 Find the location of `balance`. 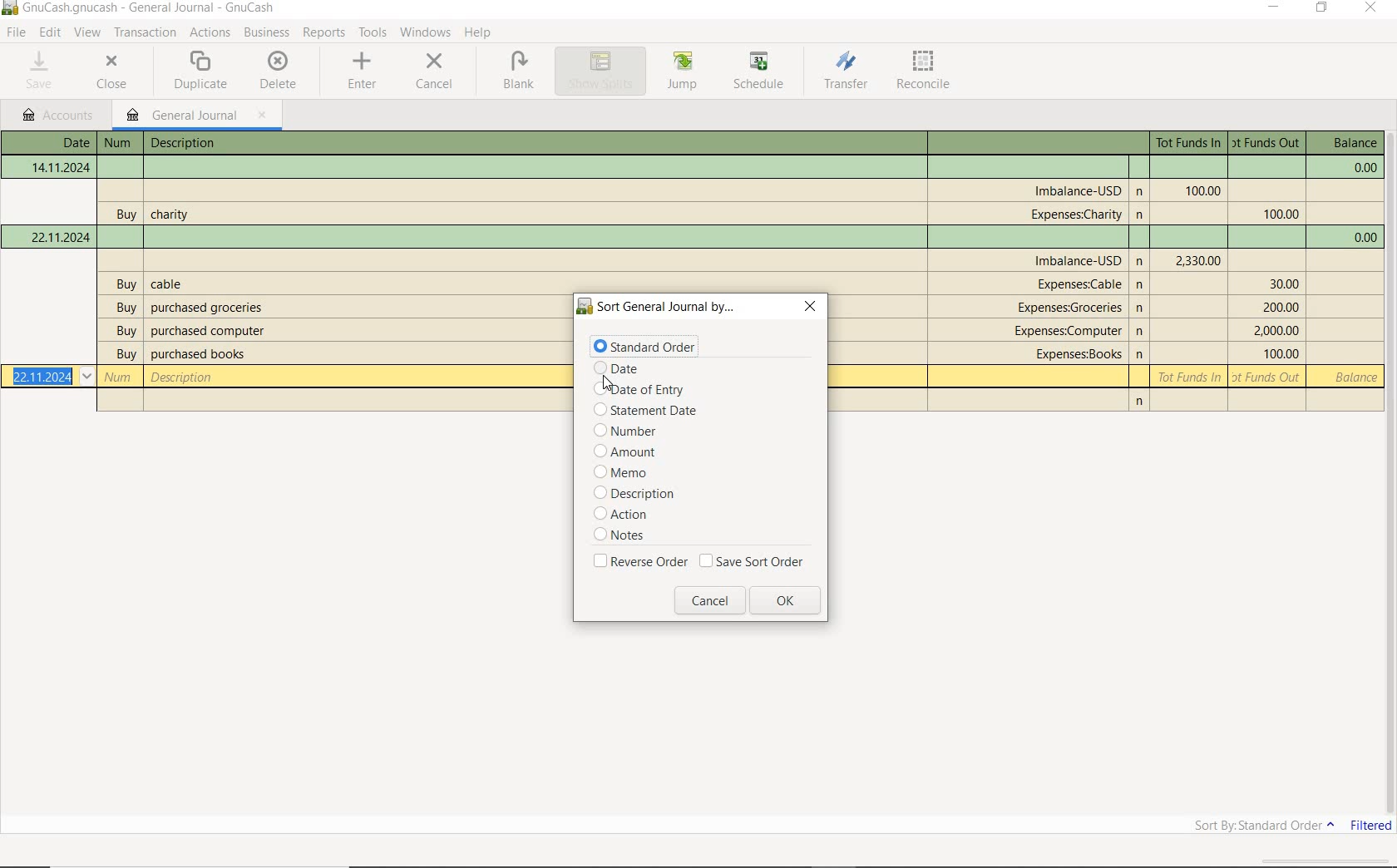

balance is located at coordinates (1350, 144).